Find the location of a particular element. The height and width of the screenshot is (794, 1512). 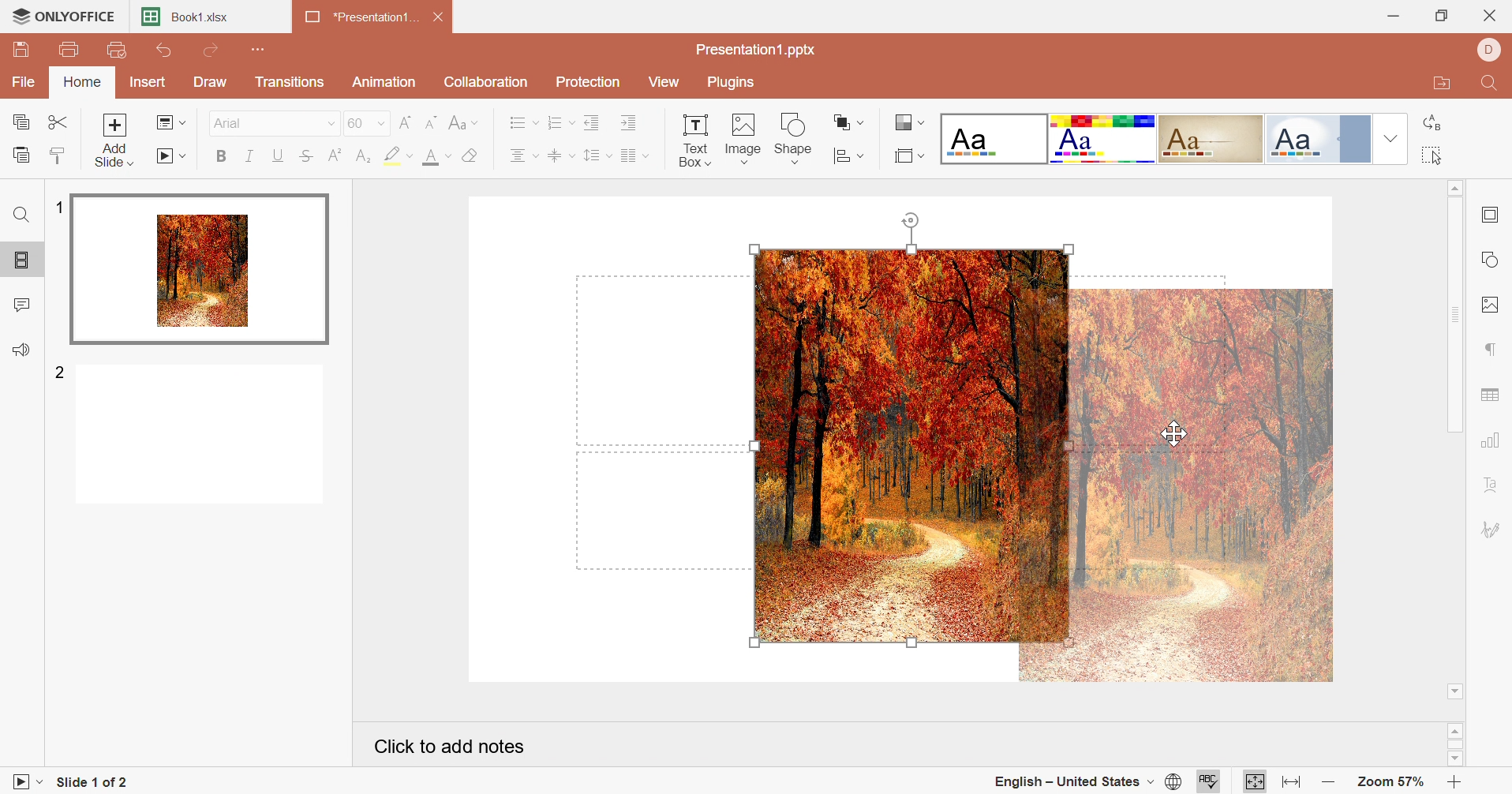

Check Spelling is located at coordinates (1210, 781).